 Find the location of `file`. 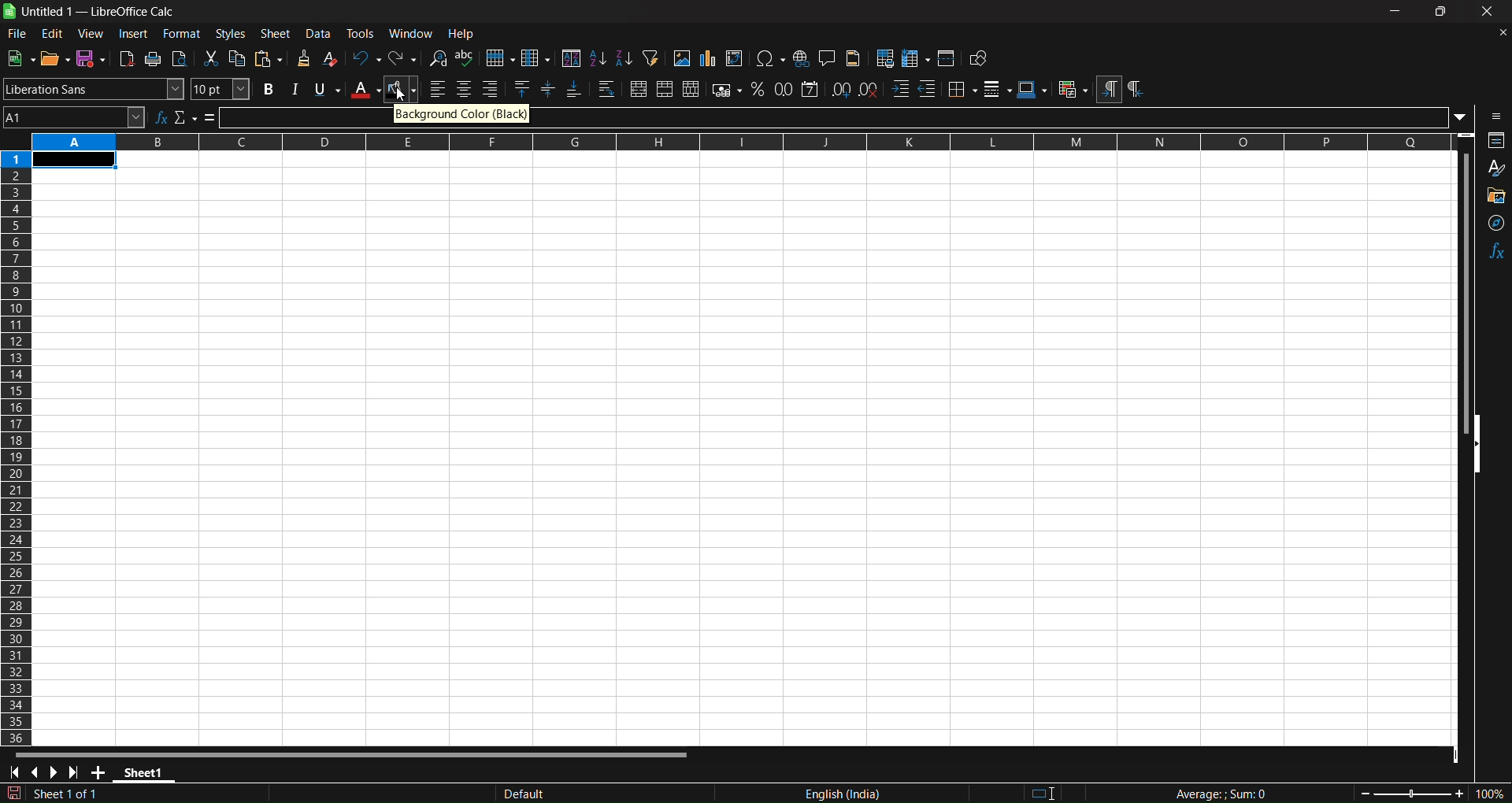

file is located at coordinates (17, 34).